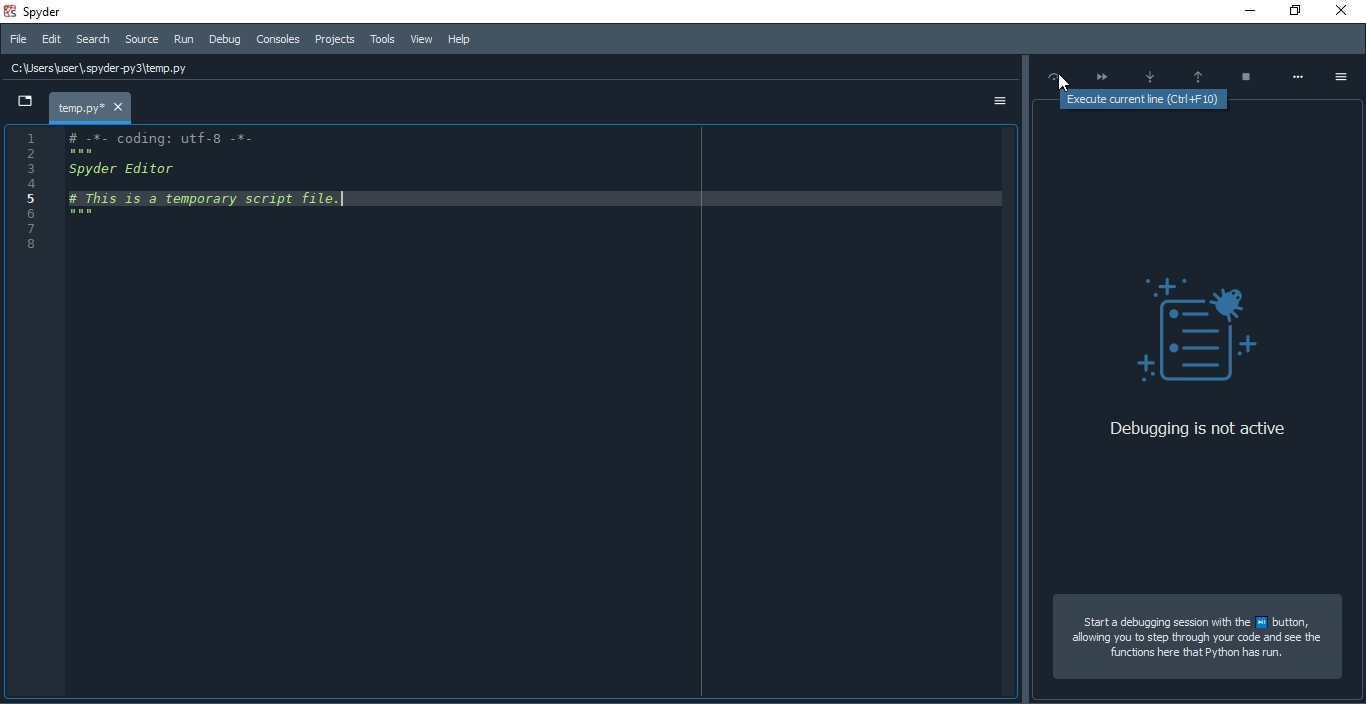 The height and width of the screenshot is (704, 1366). What do you see at coordinates (1246, 74) in the screenshot?
I see `Stop debugging` at bounding box center [1246, 74].